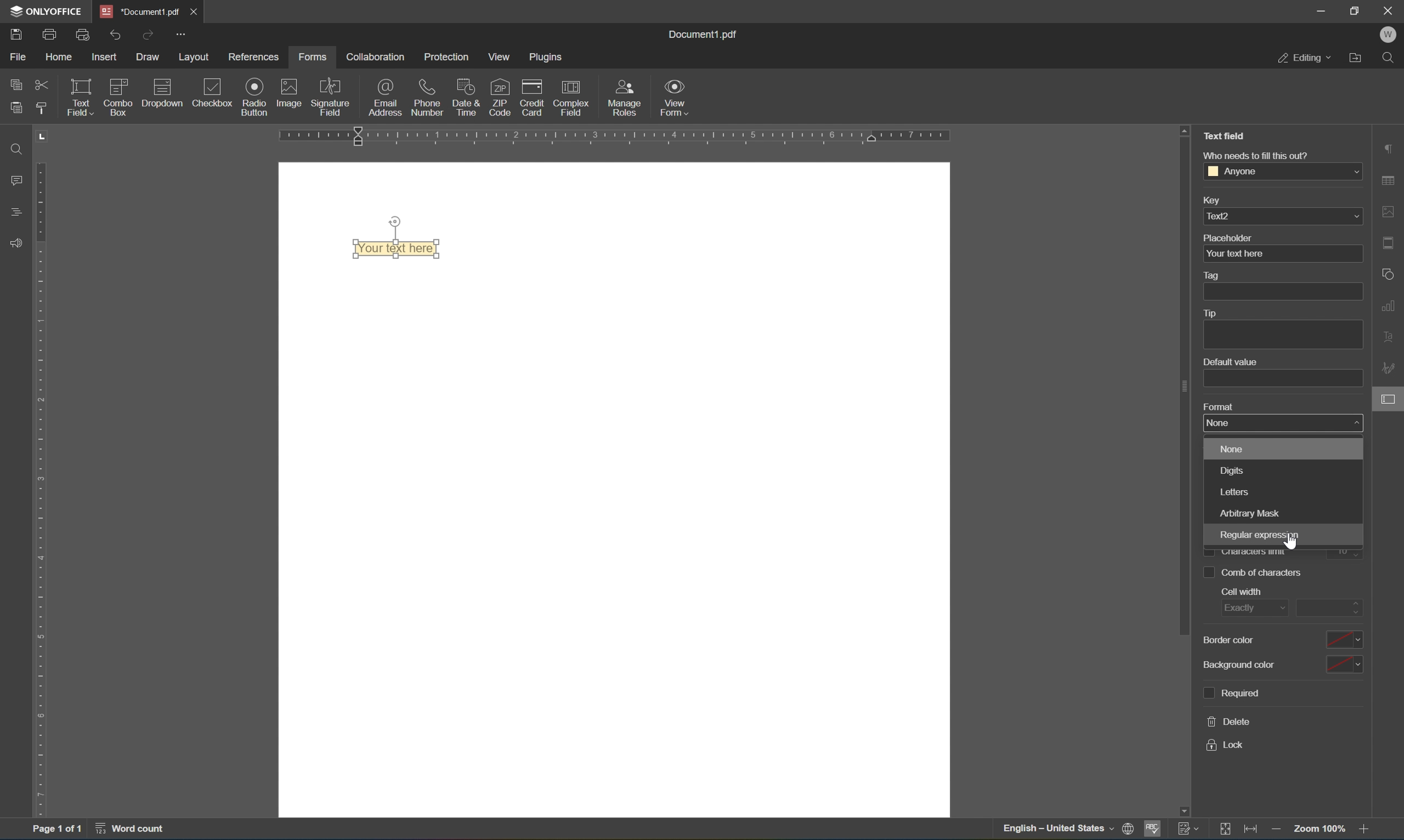 The height and width of the screenshot is (840, 1404). I want to click on print preview, so click(82, 33).